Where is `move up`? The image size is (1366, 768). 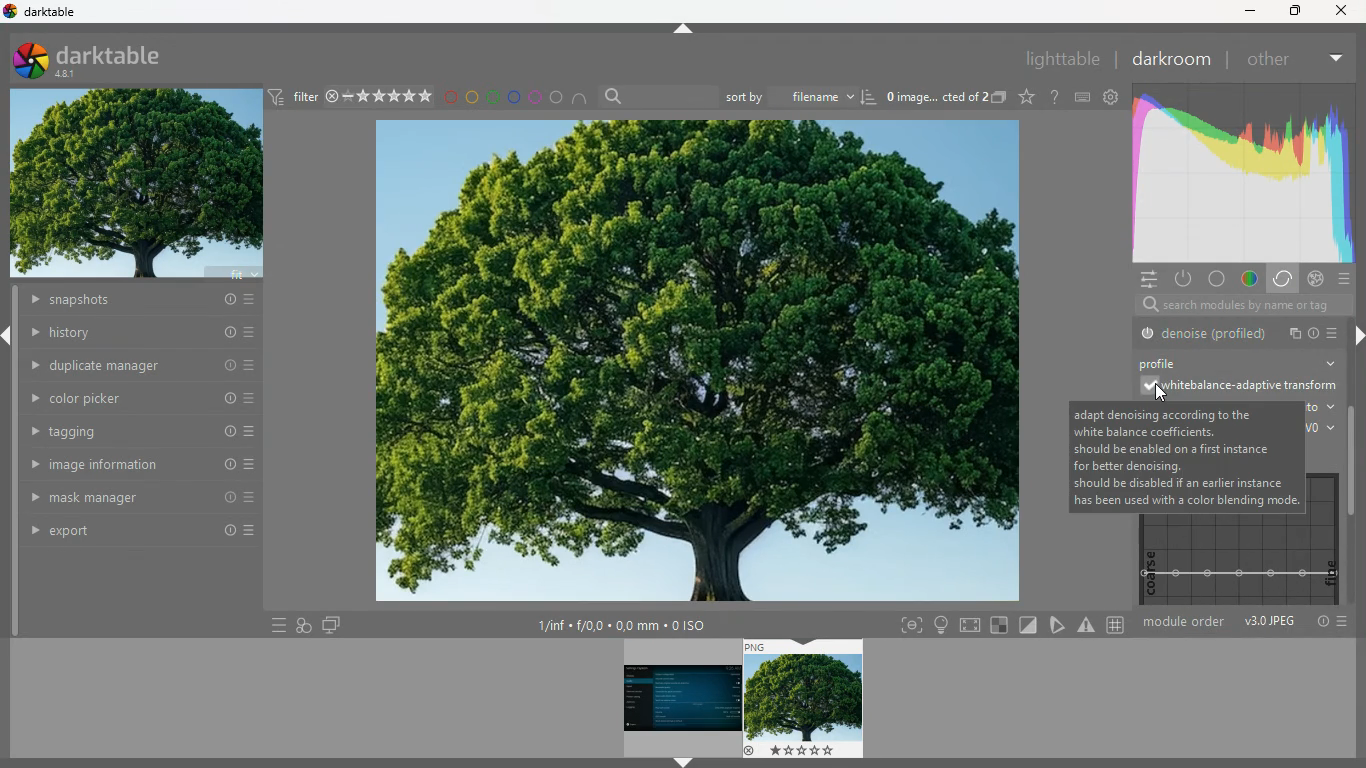 move up is located at coordinates (685, 29).